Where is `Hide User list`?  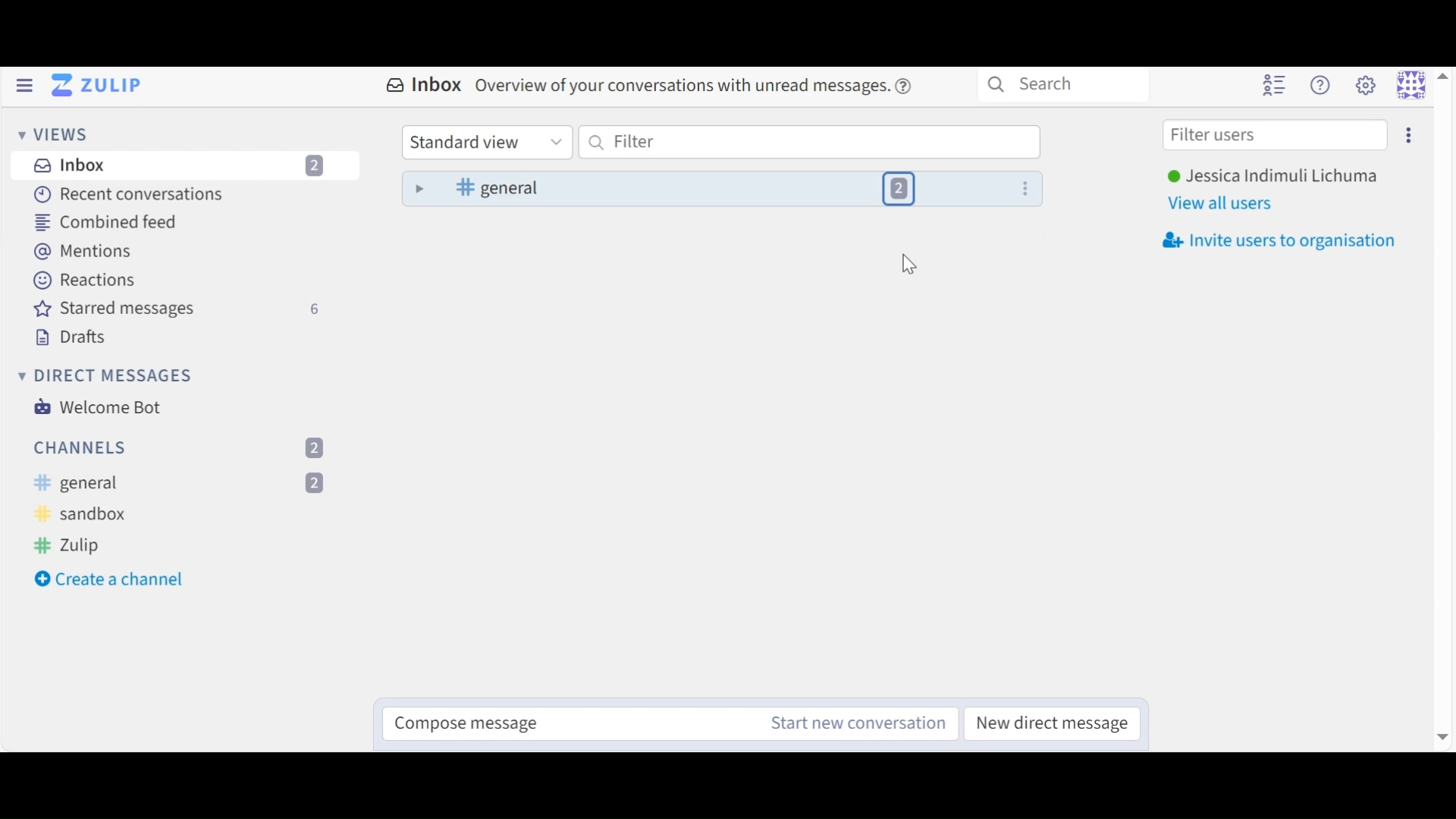
Hide User list is located at coordinates (1275, 86).